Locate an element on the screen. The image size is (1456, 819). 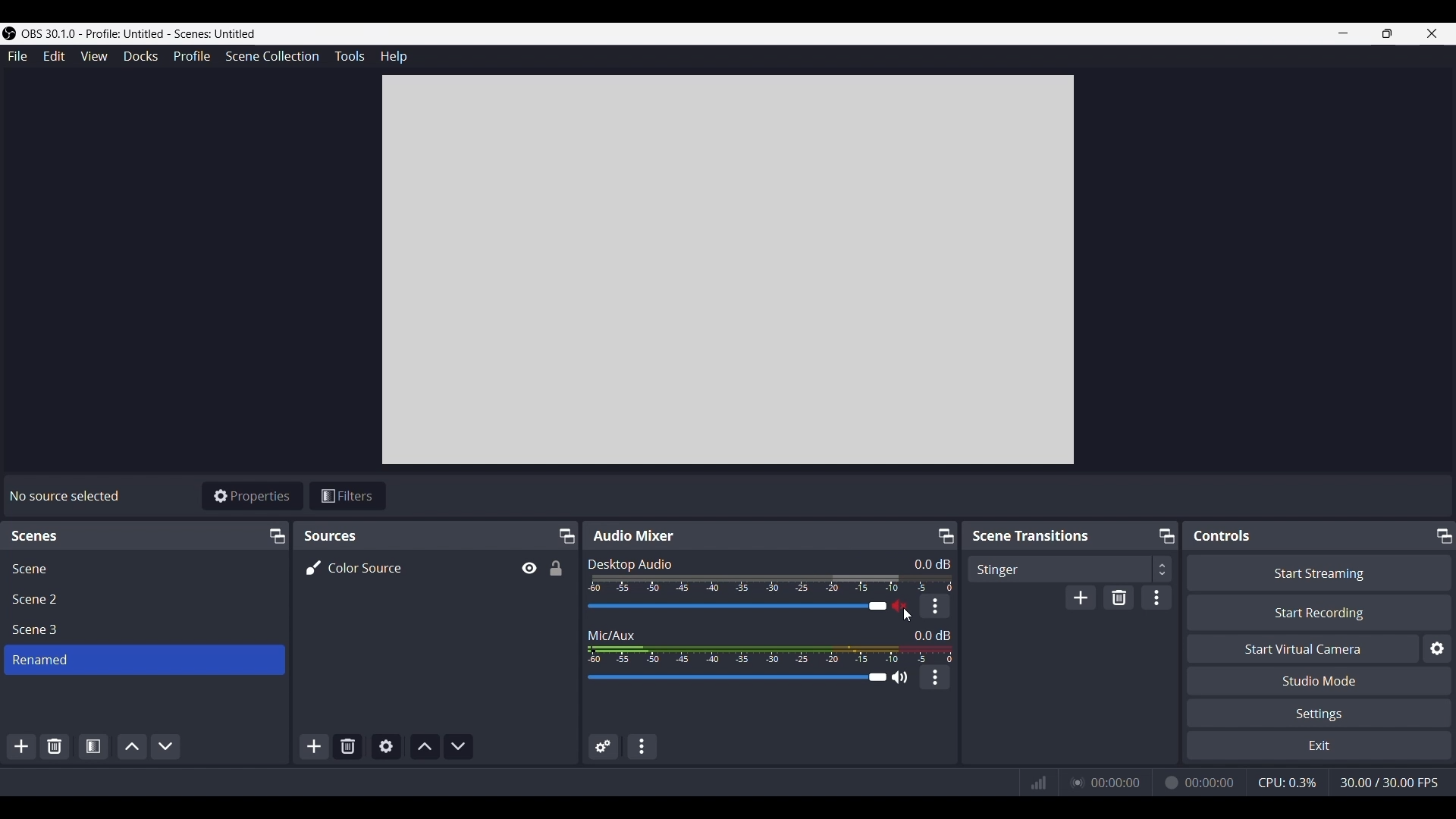
Docks is located at coordinates (141, 57).